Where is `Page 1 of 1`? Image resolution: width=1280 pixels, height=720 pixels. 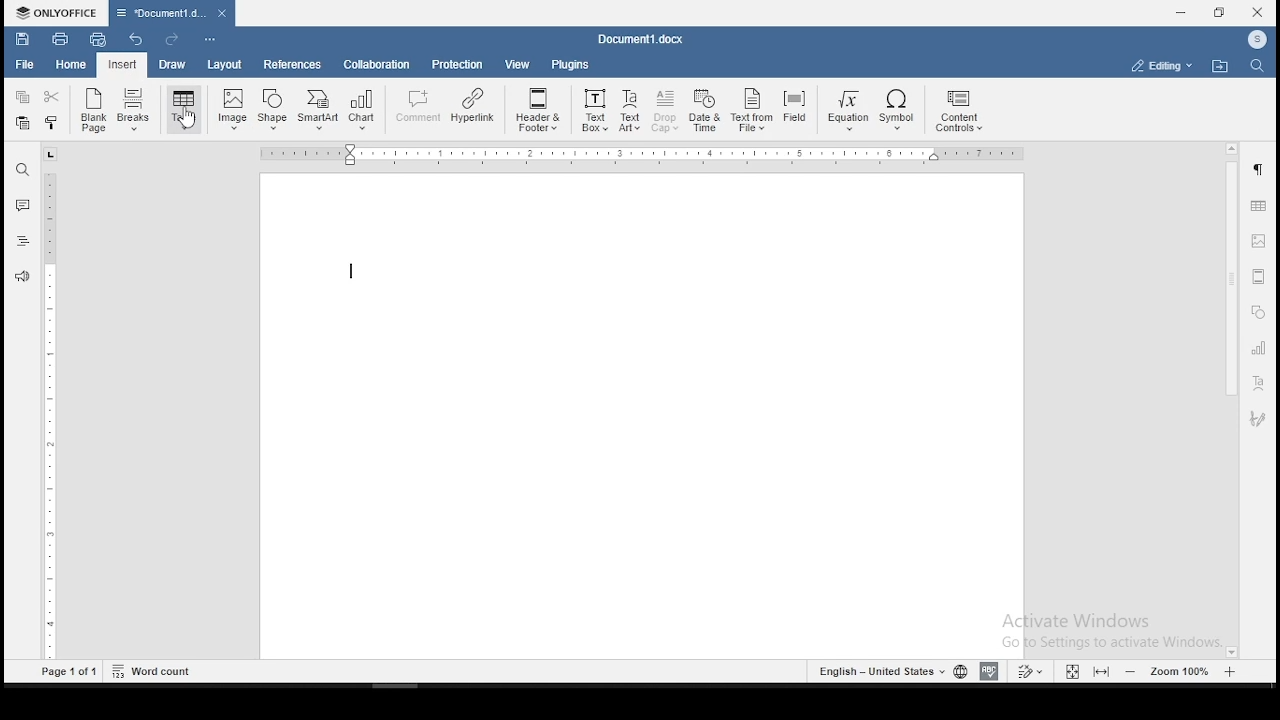 Page 1 of 1 is located at coordinates (67, 674).